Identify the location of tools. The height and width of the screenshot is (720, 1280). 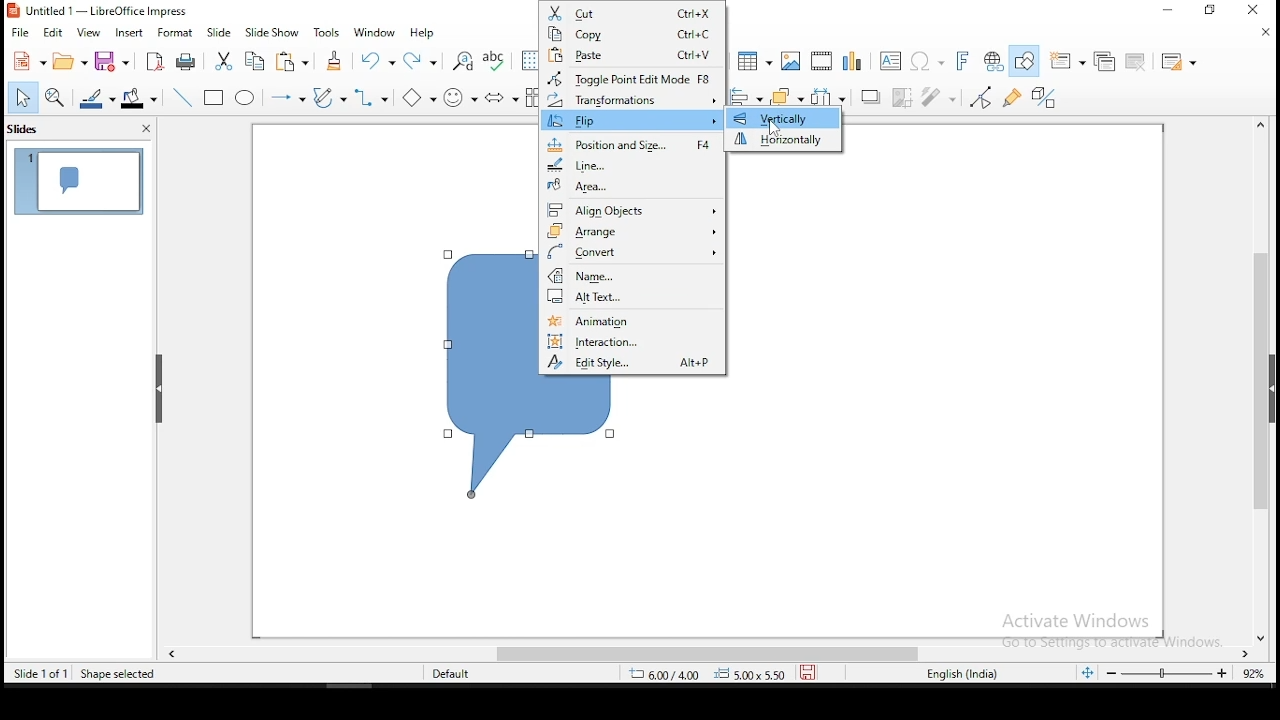
(327, 32).